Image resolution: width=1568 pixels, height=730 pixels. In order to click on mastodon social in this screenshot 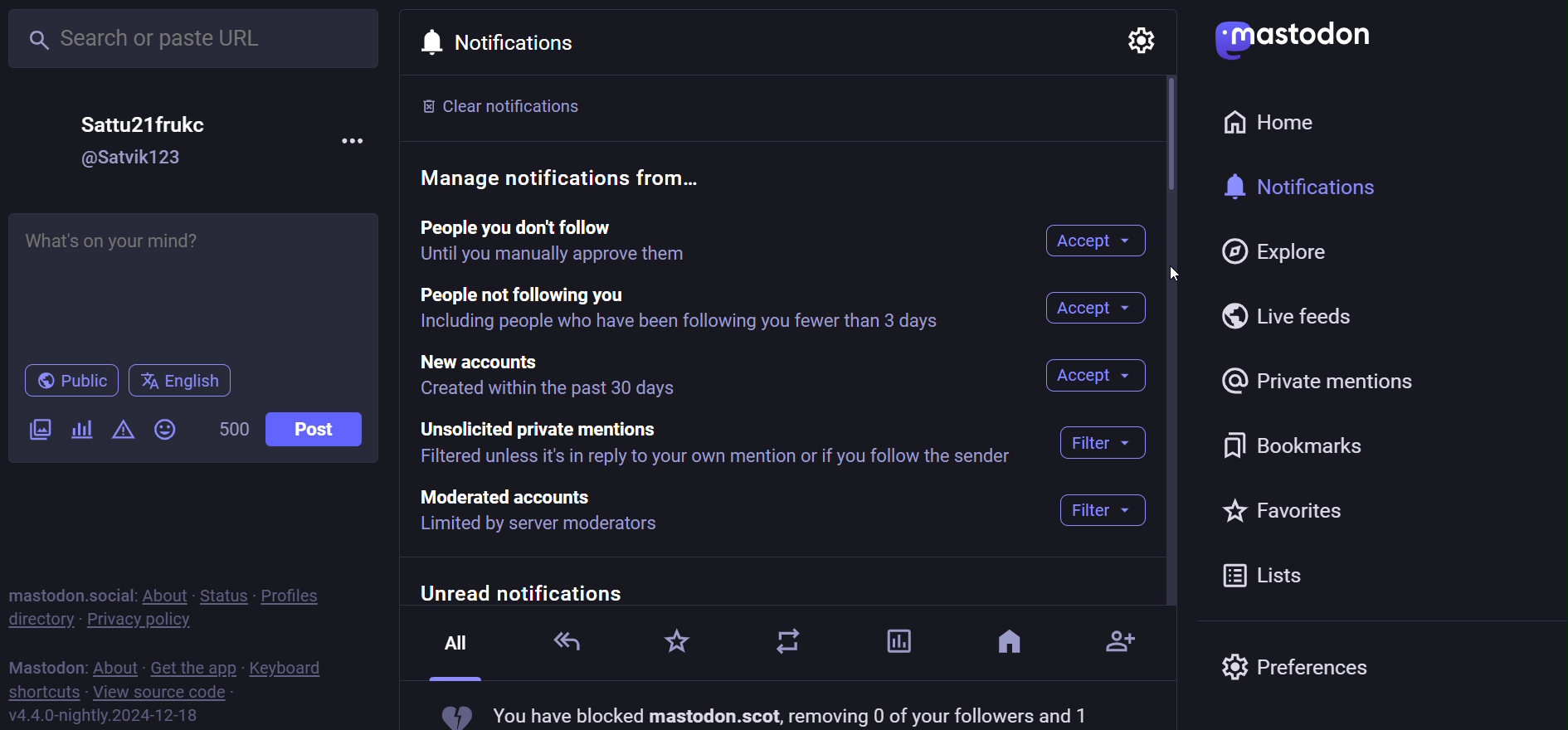, I will do `click(70, 592)`.